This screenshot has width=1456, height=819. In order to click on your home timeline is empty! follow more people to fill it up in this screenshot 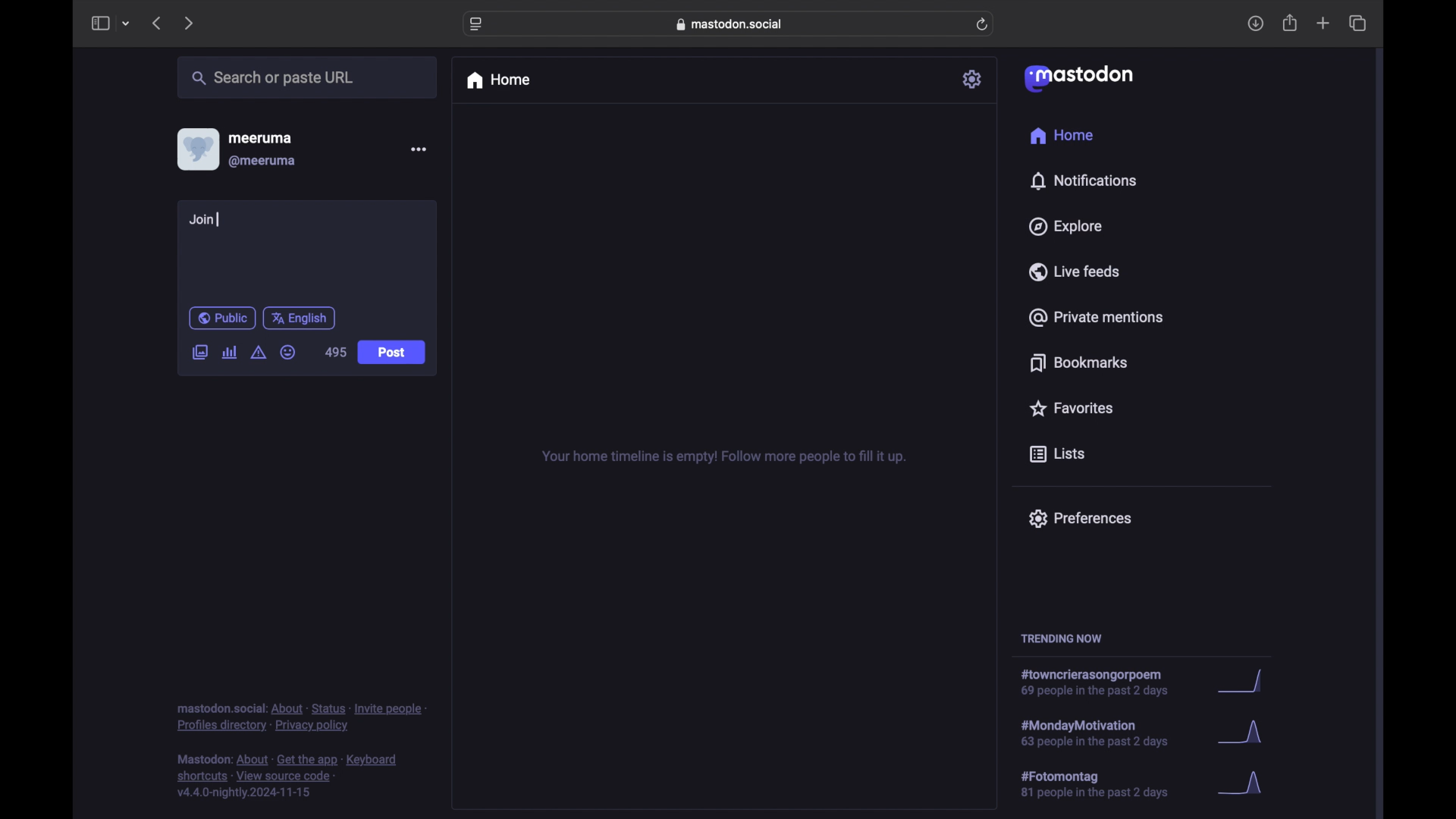, I will do `click(723, 457)`.